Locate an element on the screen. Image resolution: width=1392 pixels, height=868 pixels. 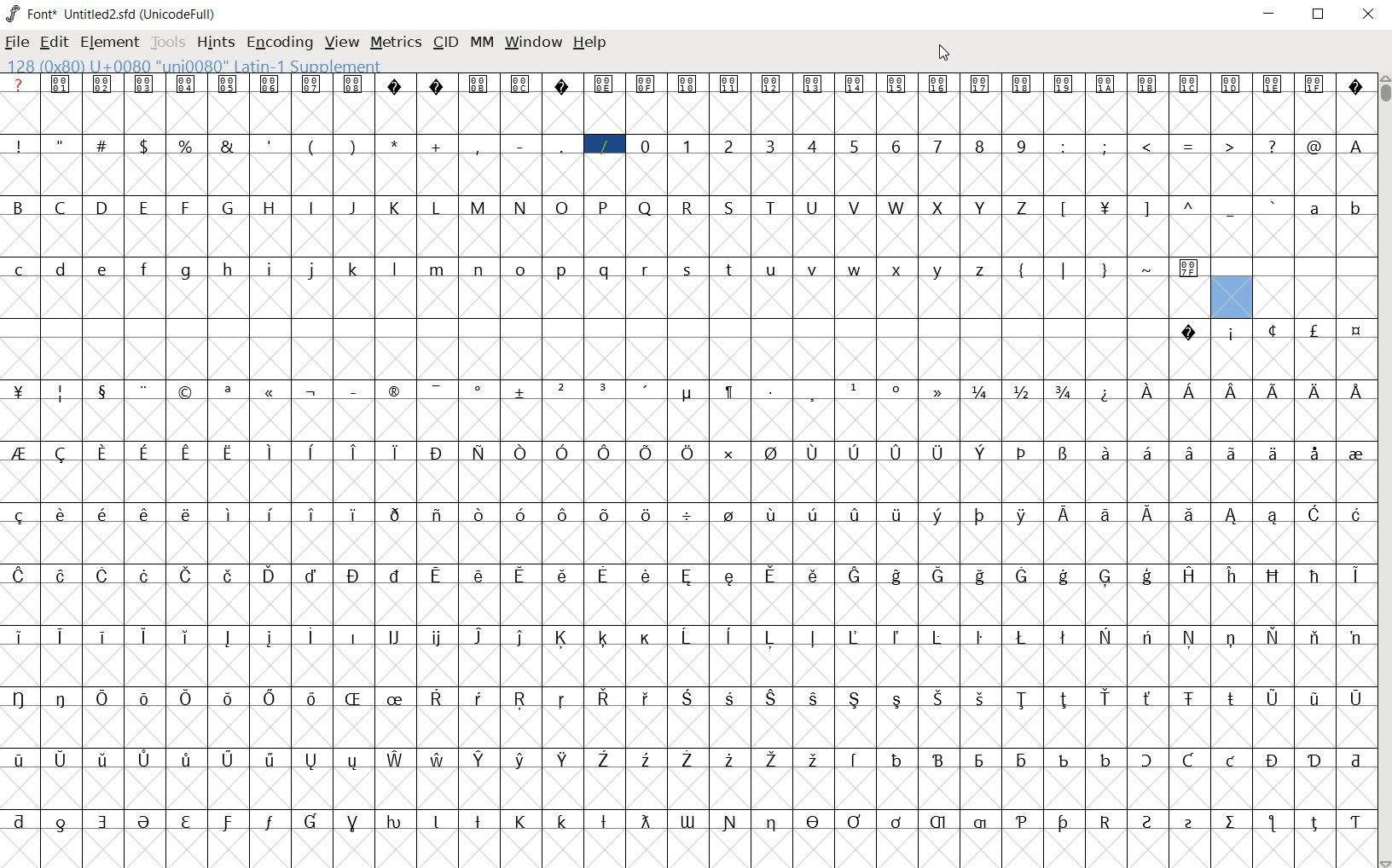
glyph is located at coordinates (647, 639).